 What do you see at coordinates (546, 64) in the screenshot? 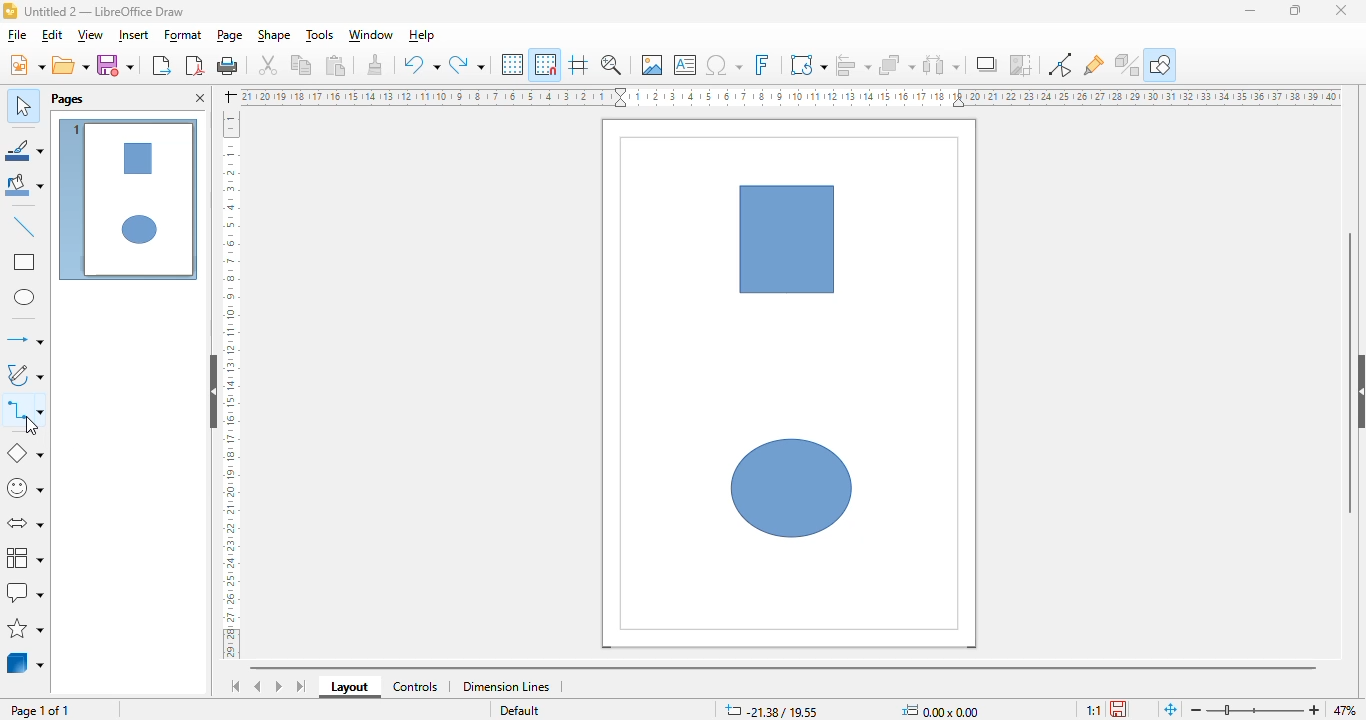
I see `snap to grid` at bounding box center [546, 64].